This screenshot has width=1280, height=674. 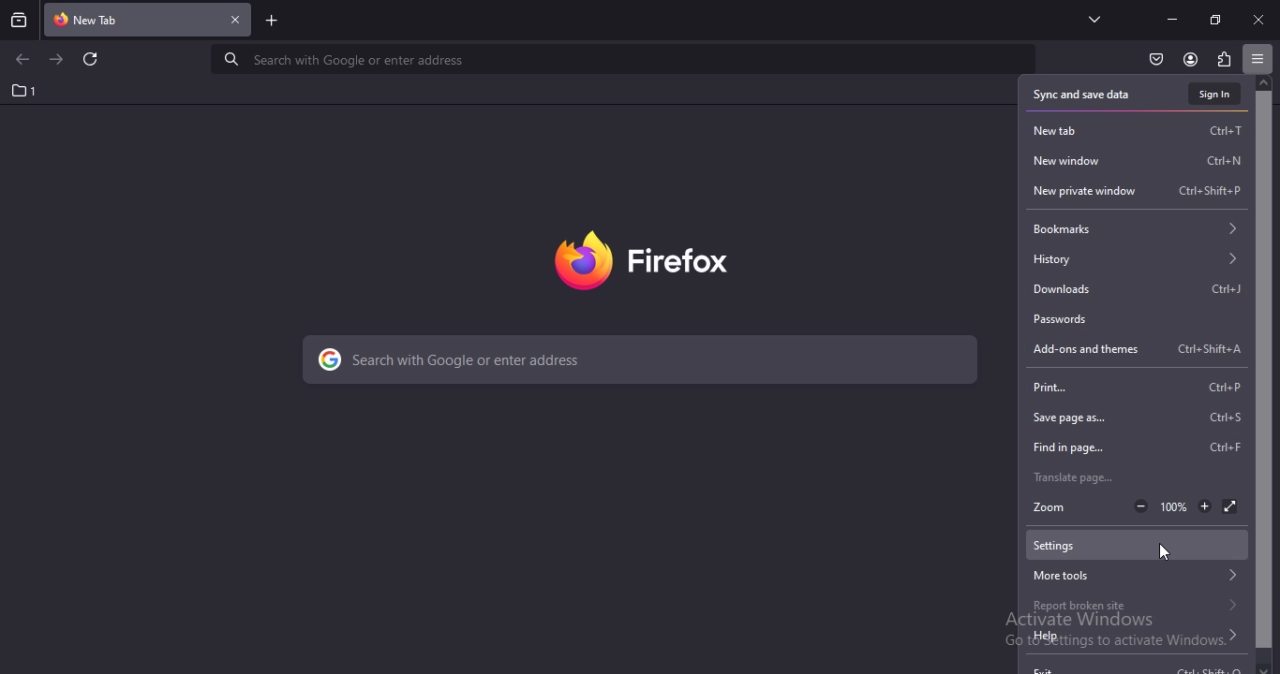 What do you see at coordinates (1137, 544) in the screenshot?
I see `settings` at bounding box center [1137, 544].